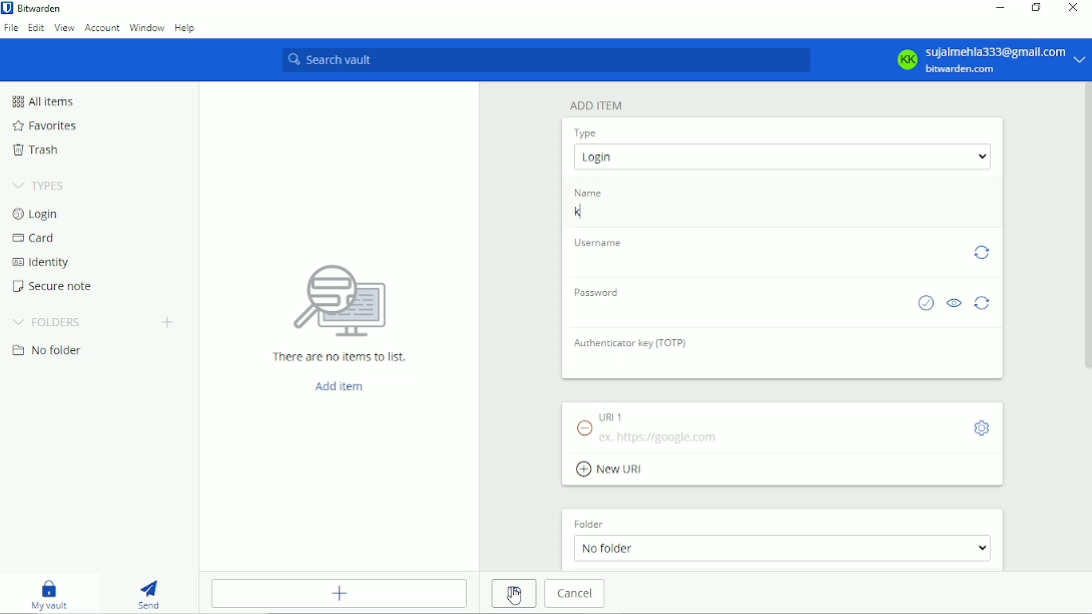 The width and height of the screenshot is (1092, 614). Describe the element at coordinates (981, 428) in the screenshot. I see `Toggle options` at that location.